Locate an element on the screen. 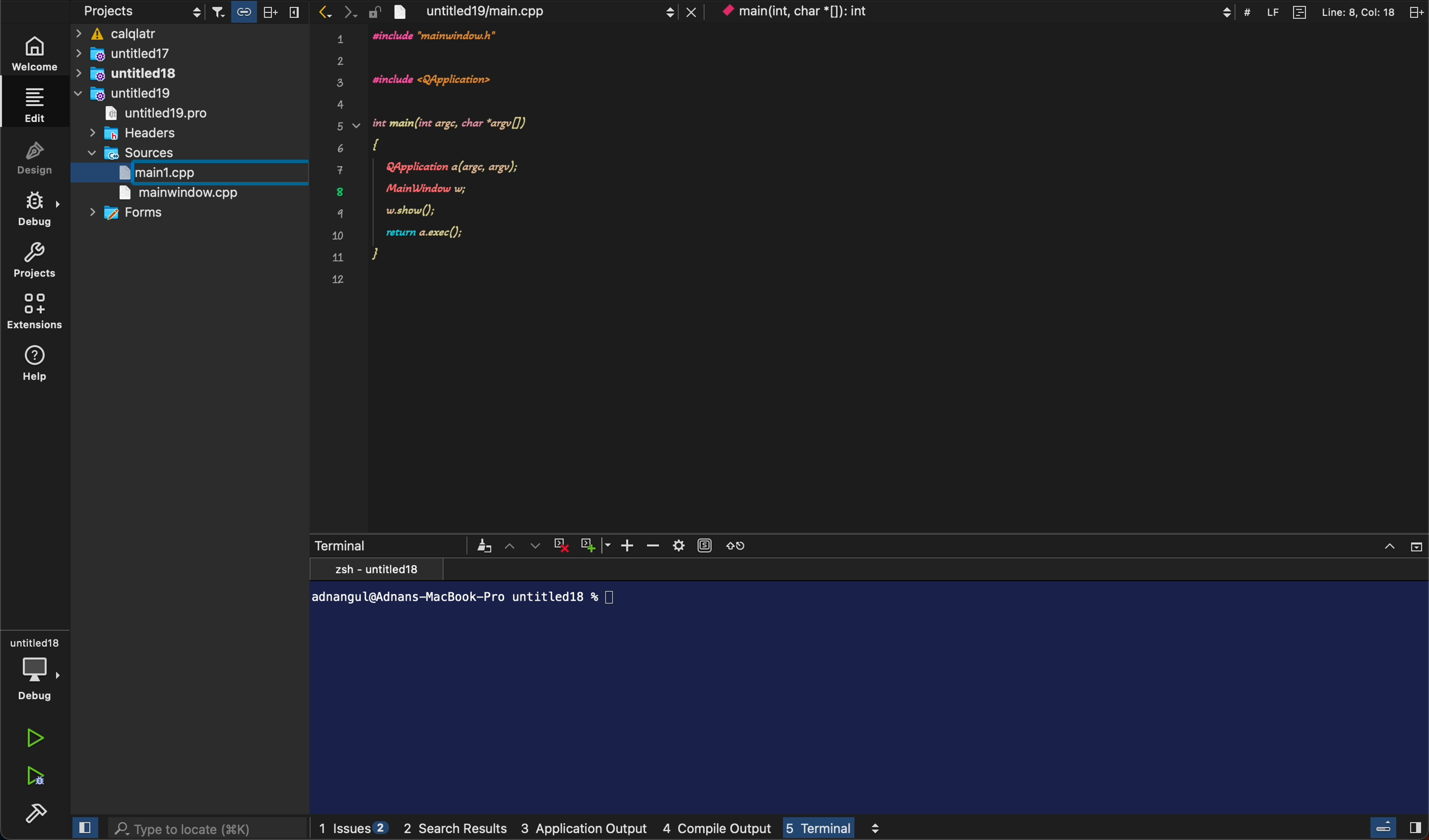 The image size is (1429, 840). Down is located at coordinates (538, 545).